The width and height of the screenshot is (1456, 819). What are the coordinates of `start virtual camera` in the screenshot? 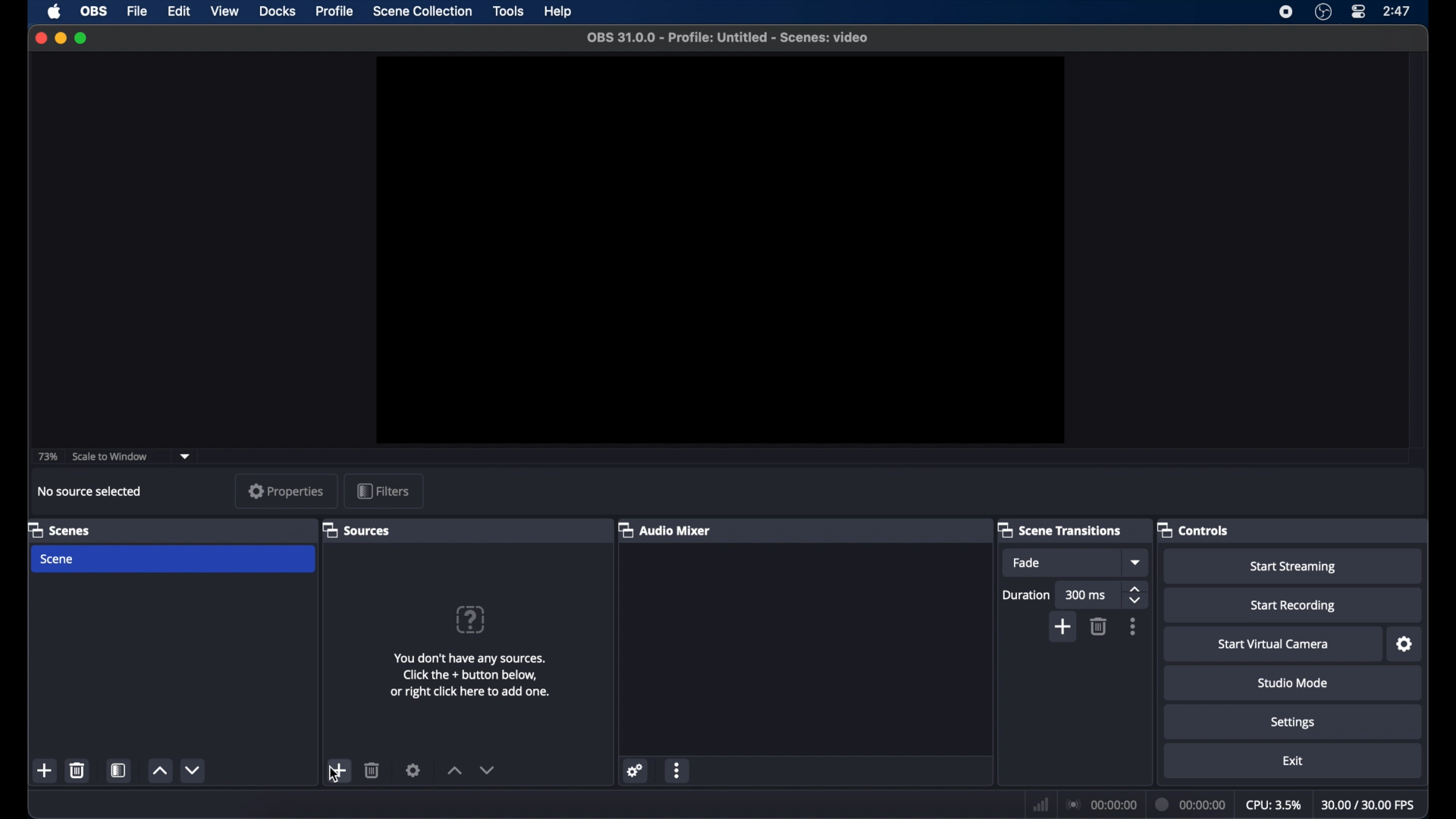 It's located at (1274, 645).